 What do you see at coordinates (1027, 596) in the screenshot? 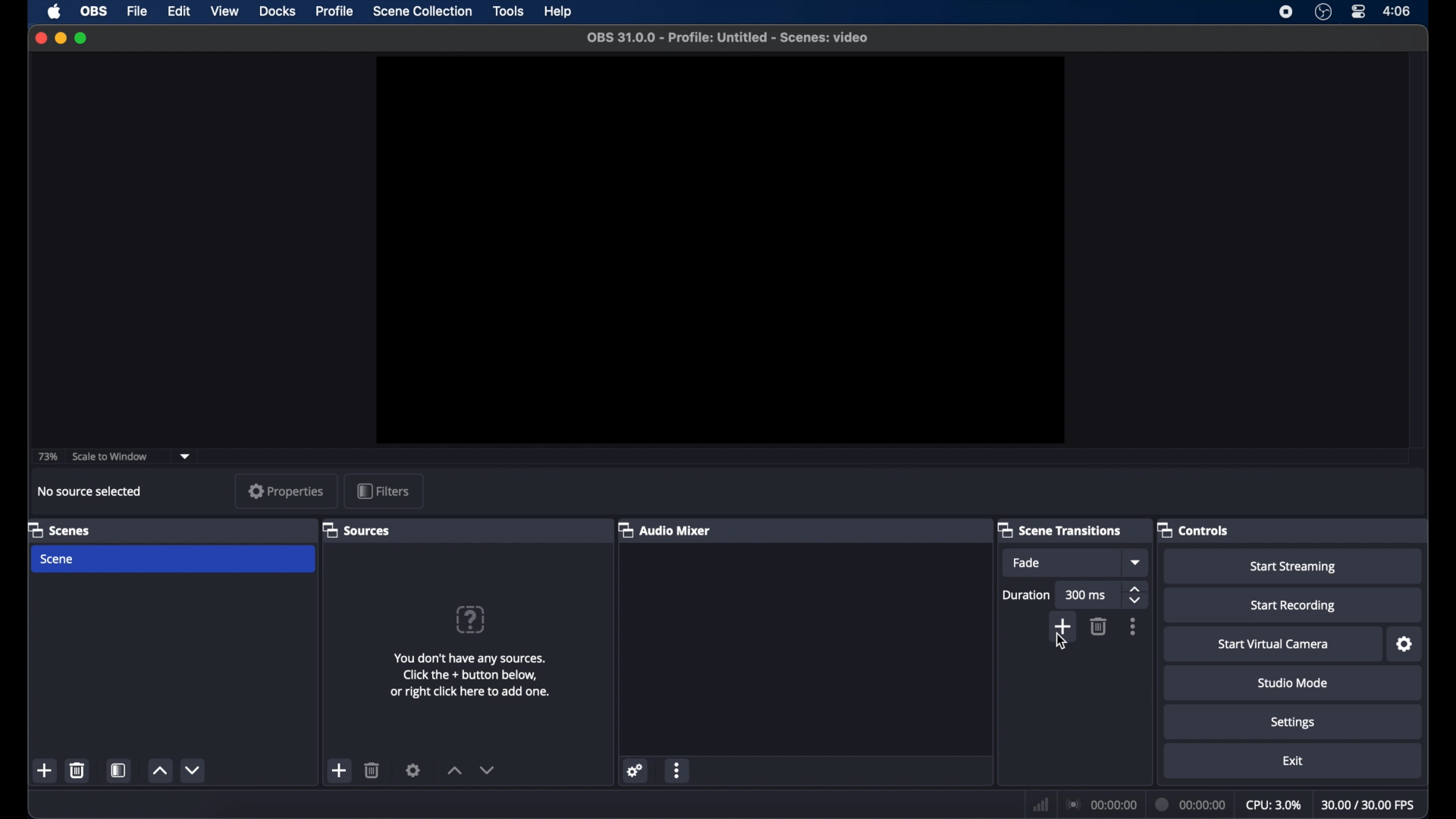
I see `duration` at bounding box center [1027, 596].